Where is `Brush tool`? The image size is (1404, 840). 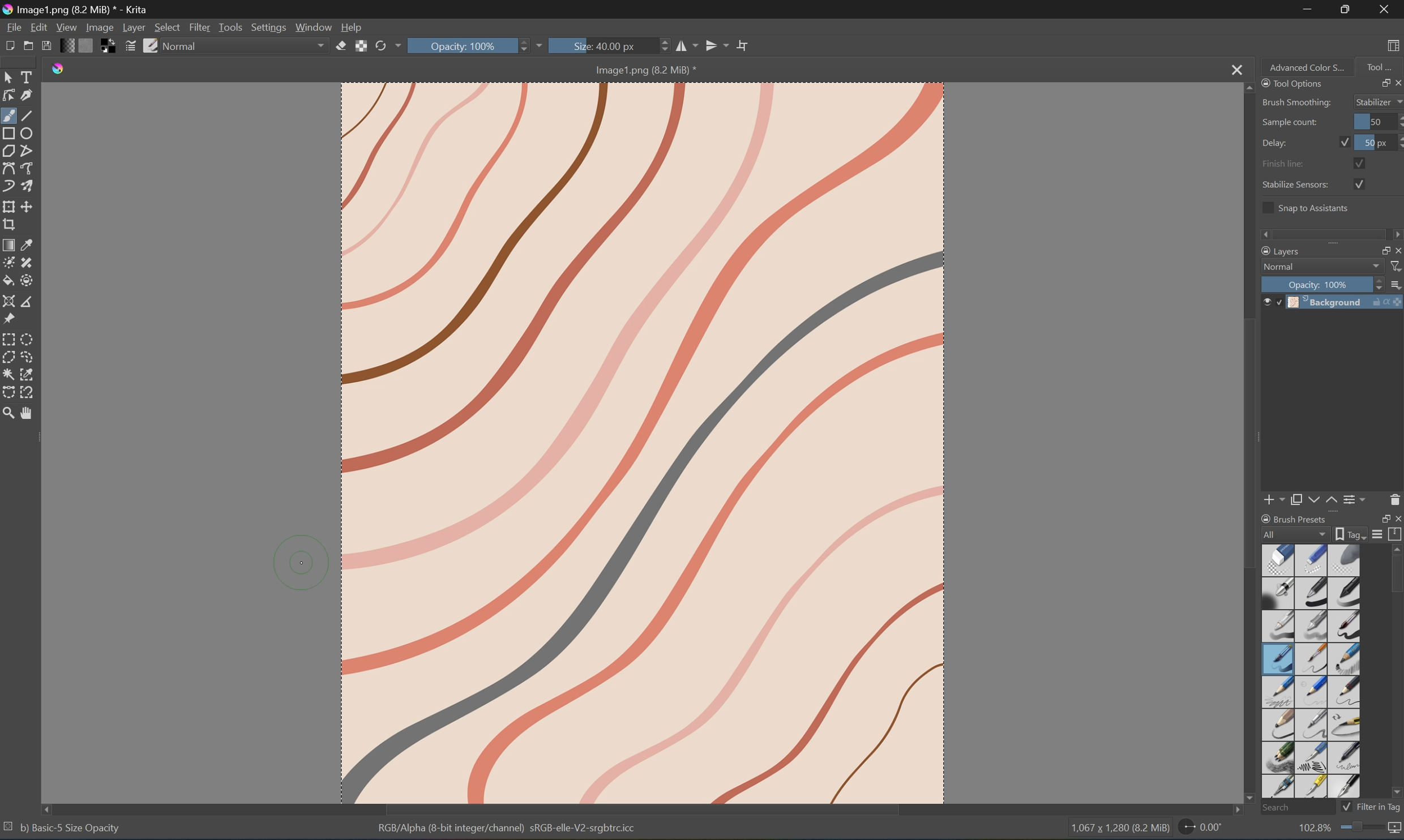 Brush tool is located at coordinates (9, 114).